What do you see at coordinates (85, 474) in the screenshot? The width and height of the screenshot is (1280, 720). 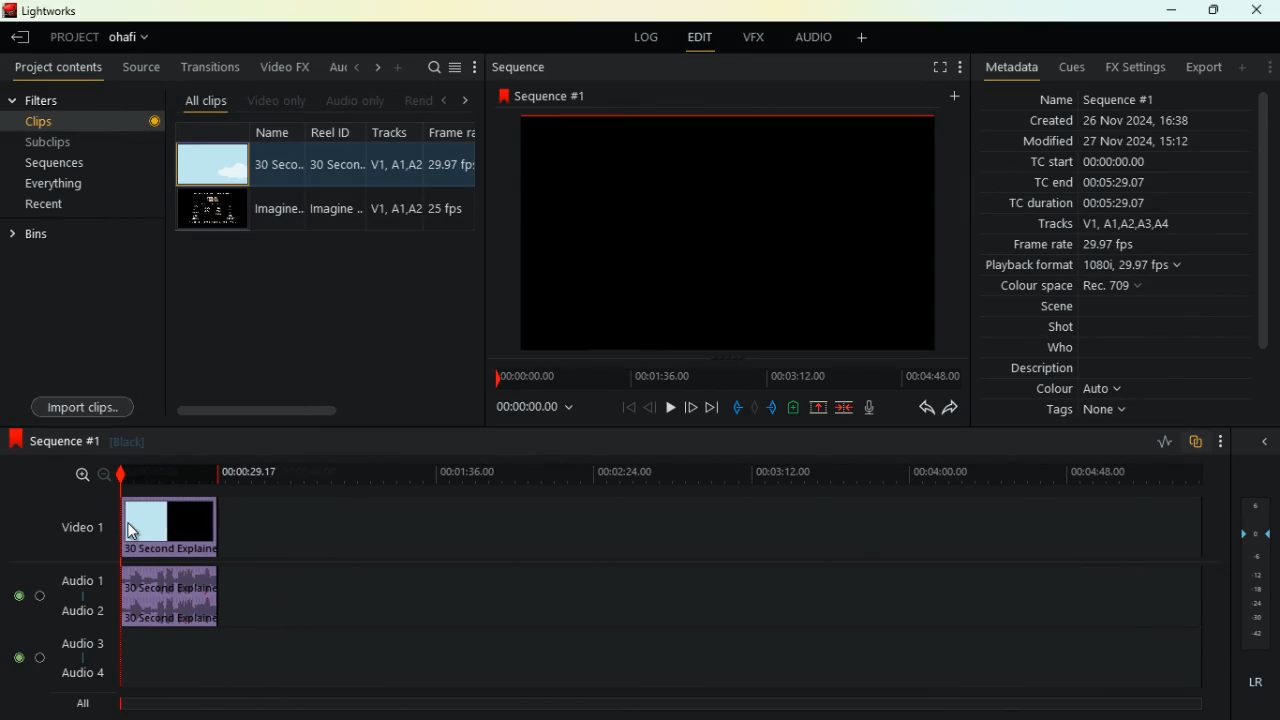 I see `zoom` at bounding box center [85, 474].